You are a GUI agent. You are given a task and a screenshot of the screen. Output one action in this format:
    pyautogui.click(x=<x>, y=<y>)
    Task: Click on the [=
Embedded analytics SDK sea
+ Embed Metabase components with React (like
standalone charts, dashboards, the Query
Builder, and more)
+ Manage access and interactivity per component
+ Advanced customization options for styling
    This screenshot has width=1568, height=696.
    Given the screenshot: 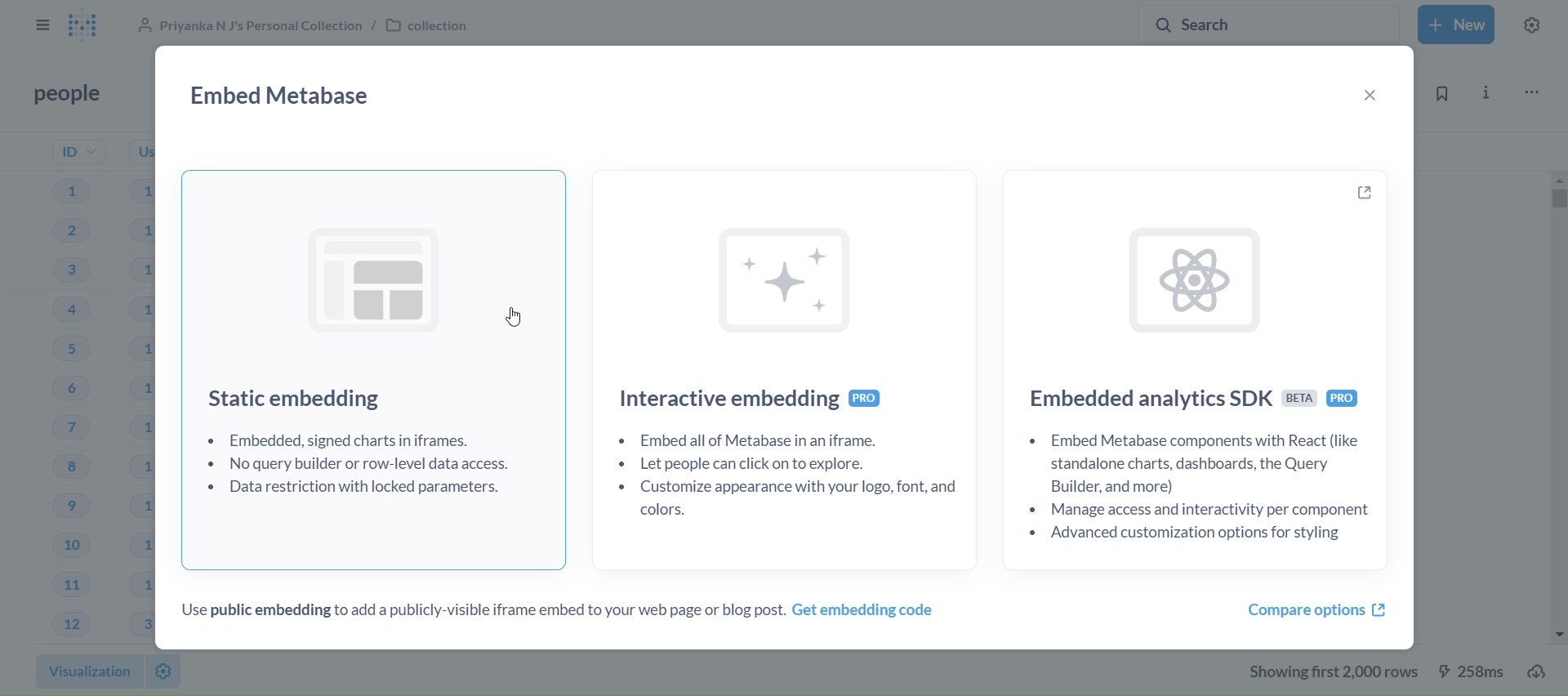 What is the action you would take?
    pyautogui.click(x=1203, y=377)
    